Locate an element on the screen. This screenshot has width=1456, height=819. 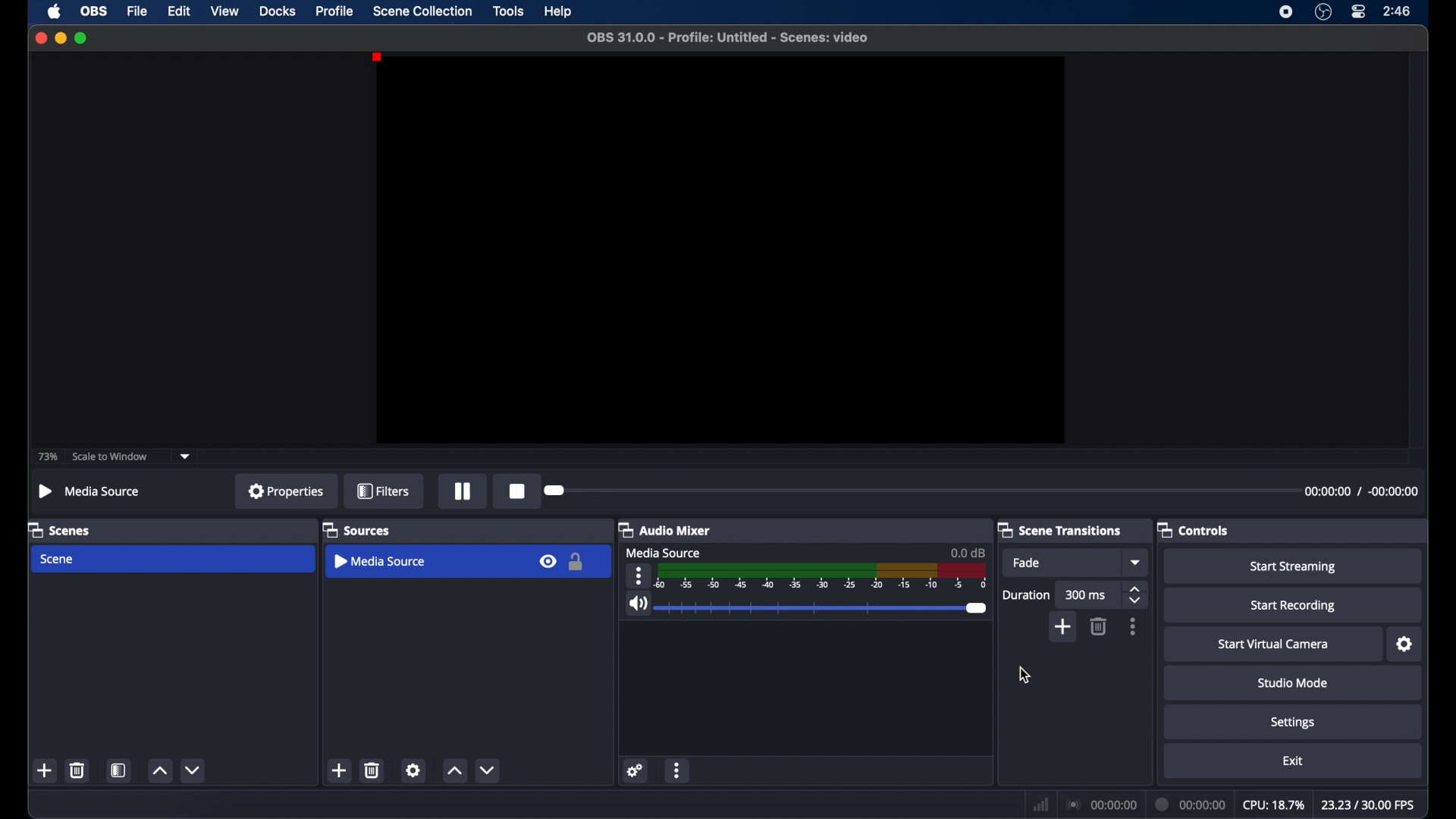
dropdown is located at coordinates (1137, 563).